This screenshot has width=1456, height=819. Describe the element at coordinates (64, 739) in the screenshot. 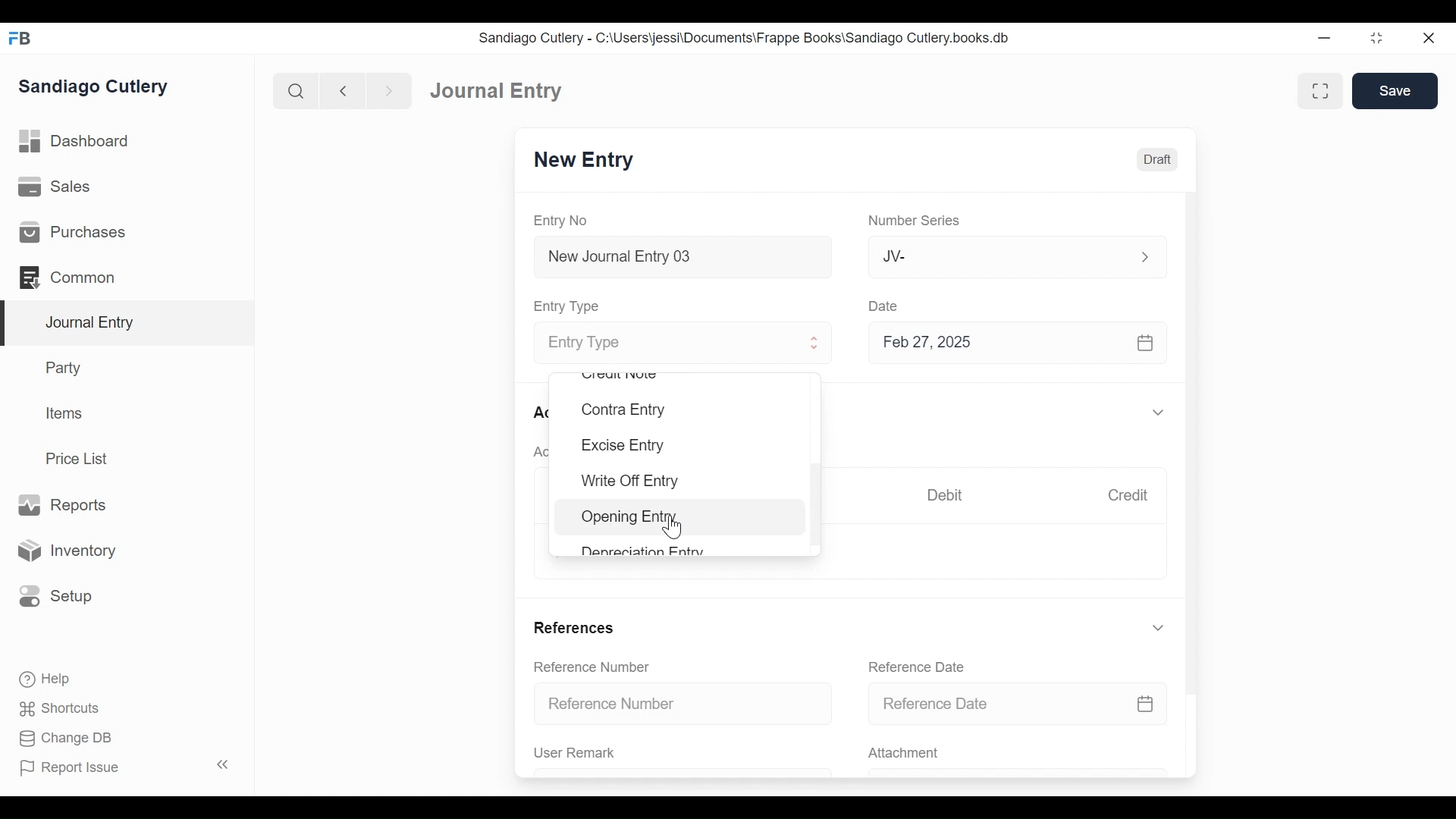

I see `Change DB` at that location.